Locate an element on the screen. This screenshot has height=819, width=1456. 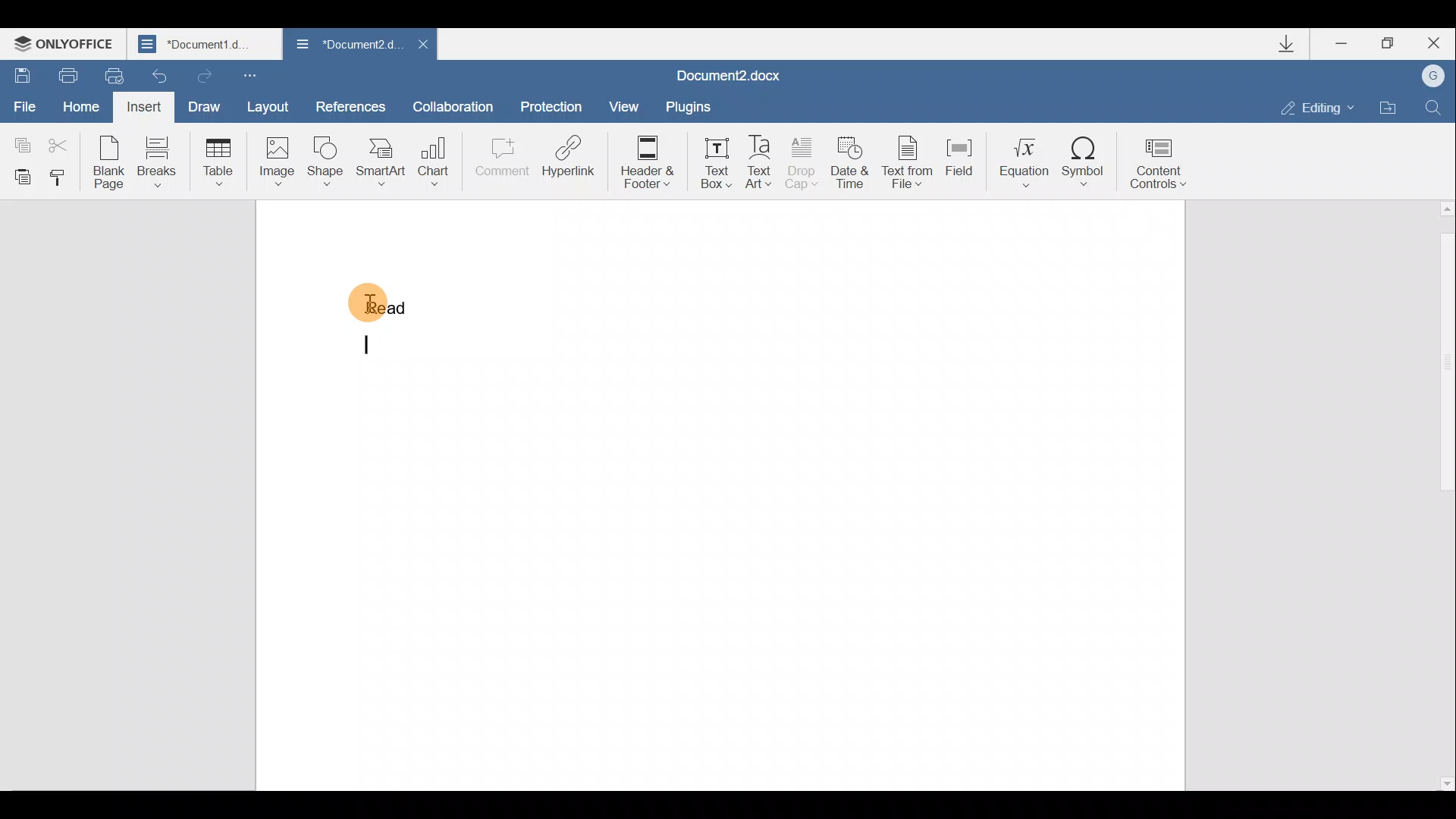
Insert is located at coordinates (142, 106).